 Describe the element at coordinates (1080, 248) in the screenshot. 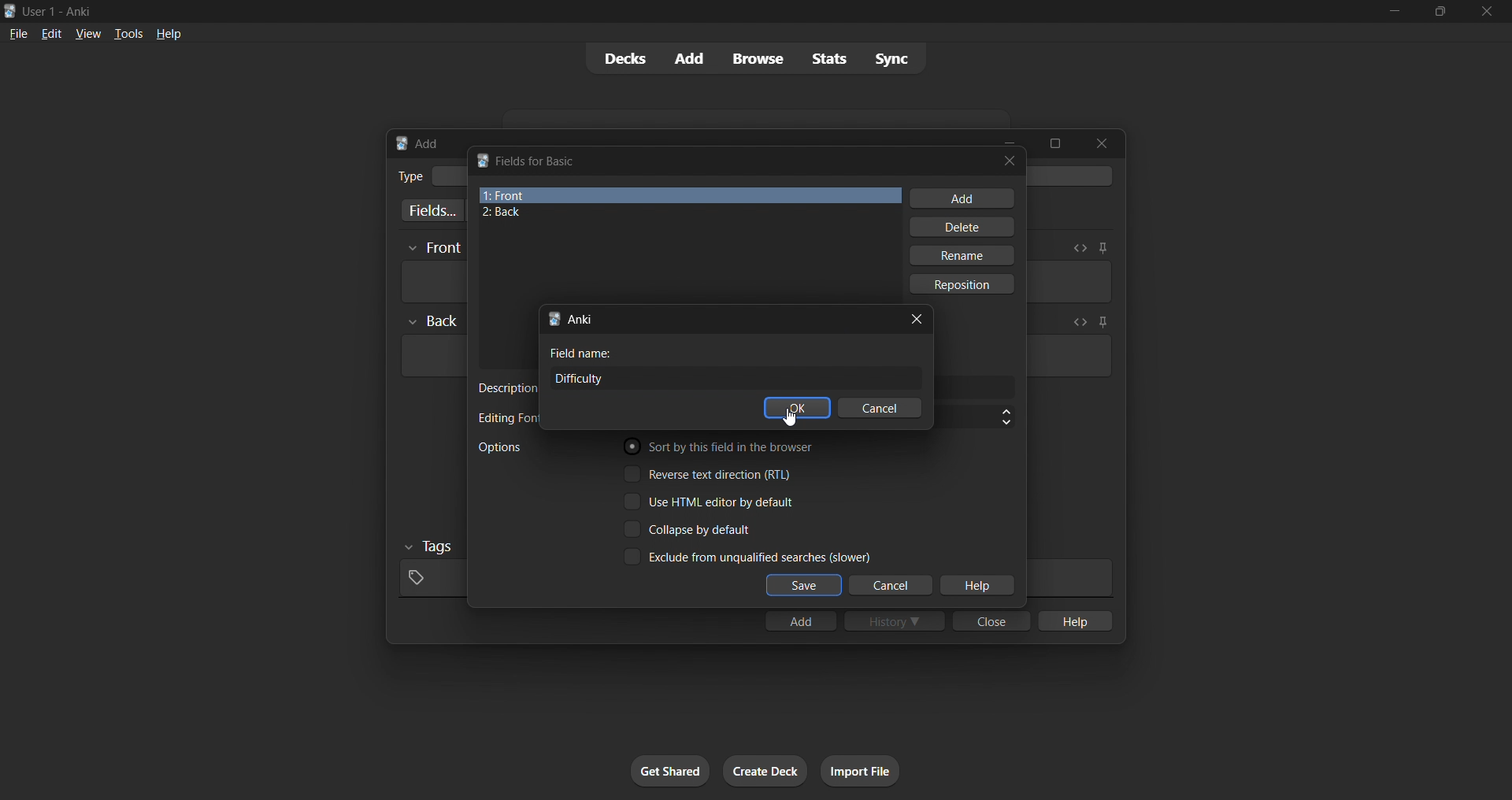

I see `Toggle HTML editor` at that location.